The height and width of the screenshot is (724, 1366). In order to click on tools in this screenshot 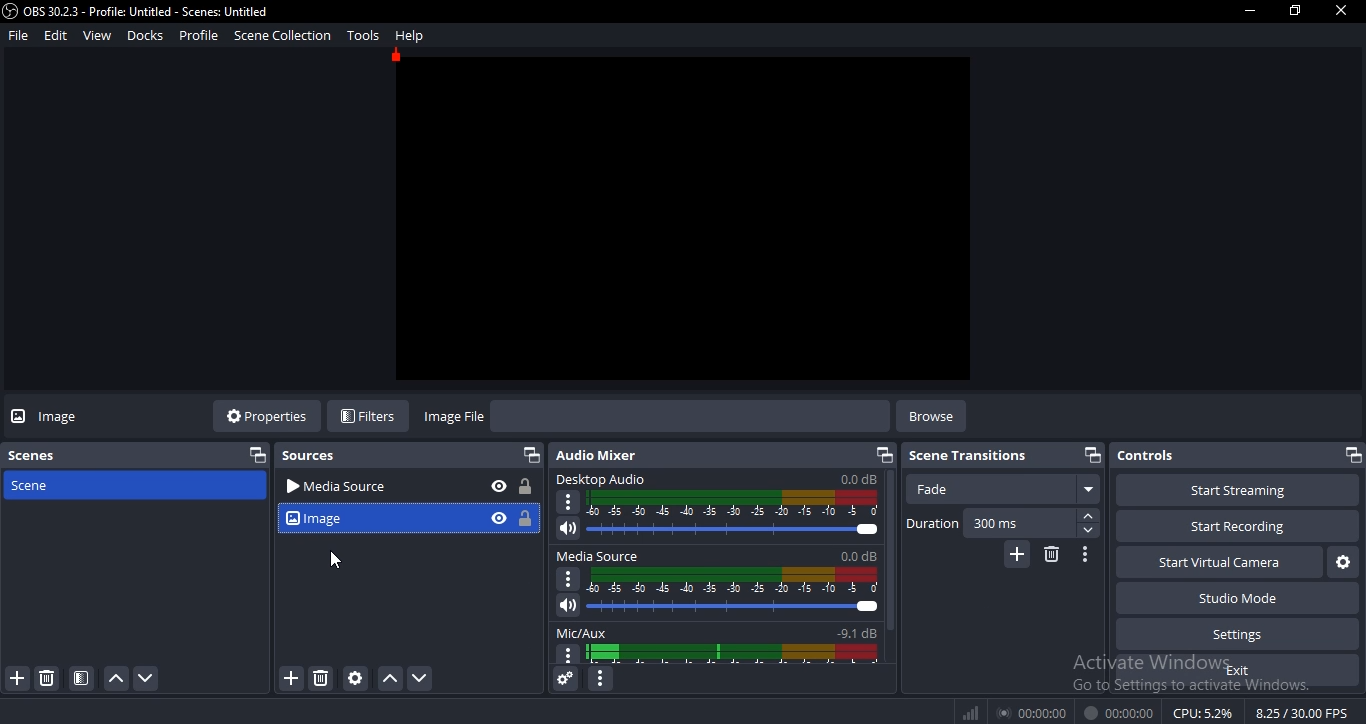, I will do `click(363, 35)`.